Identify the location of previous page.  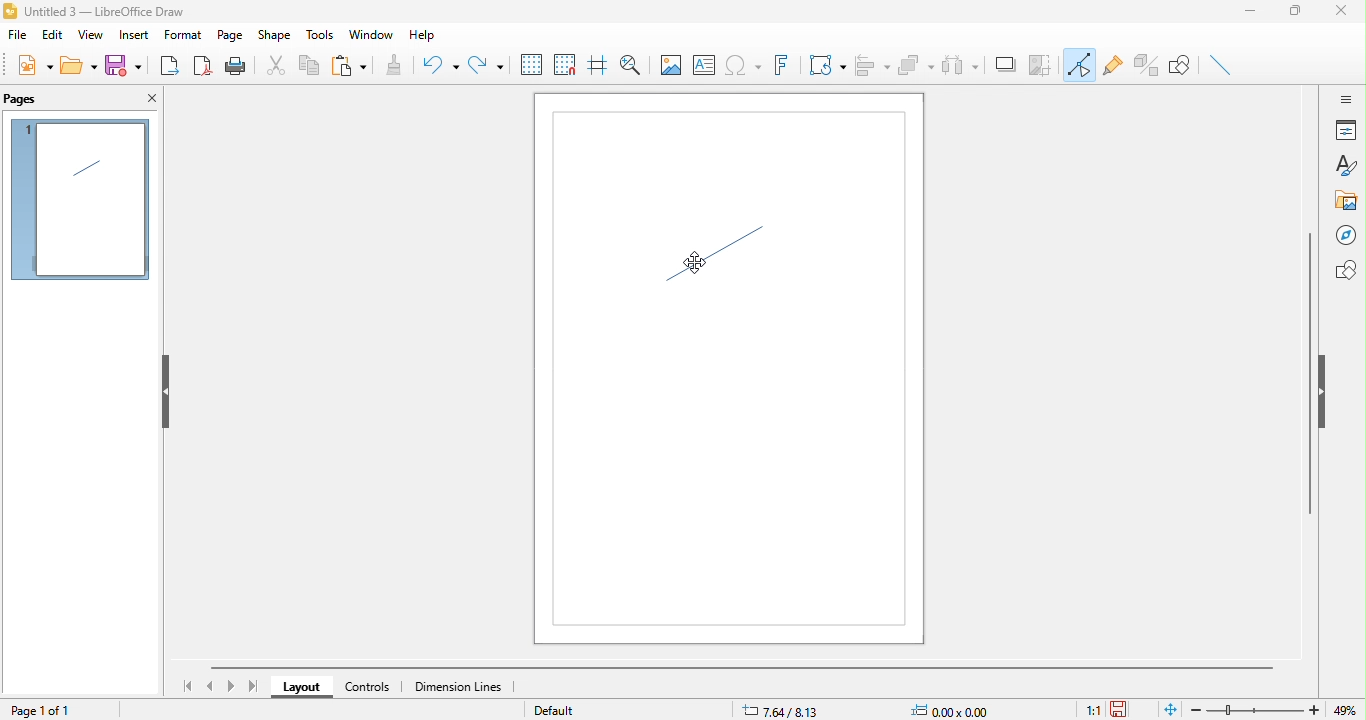
(212, 684).